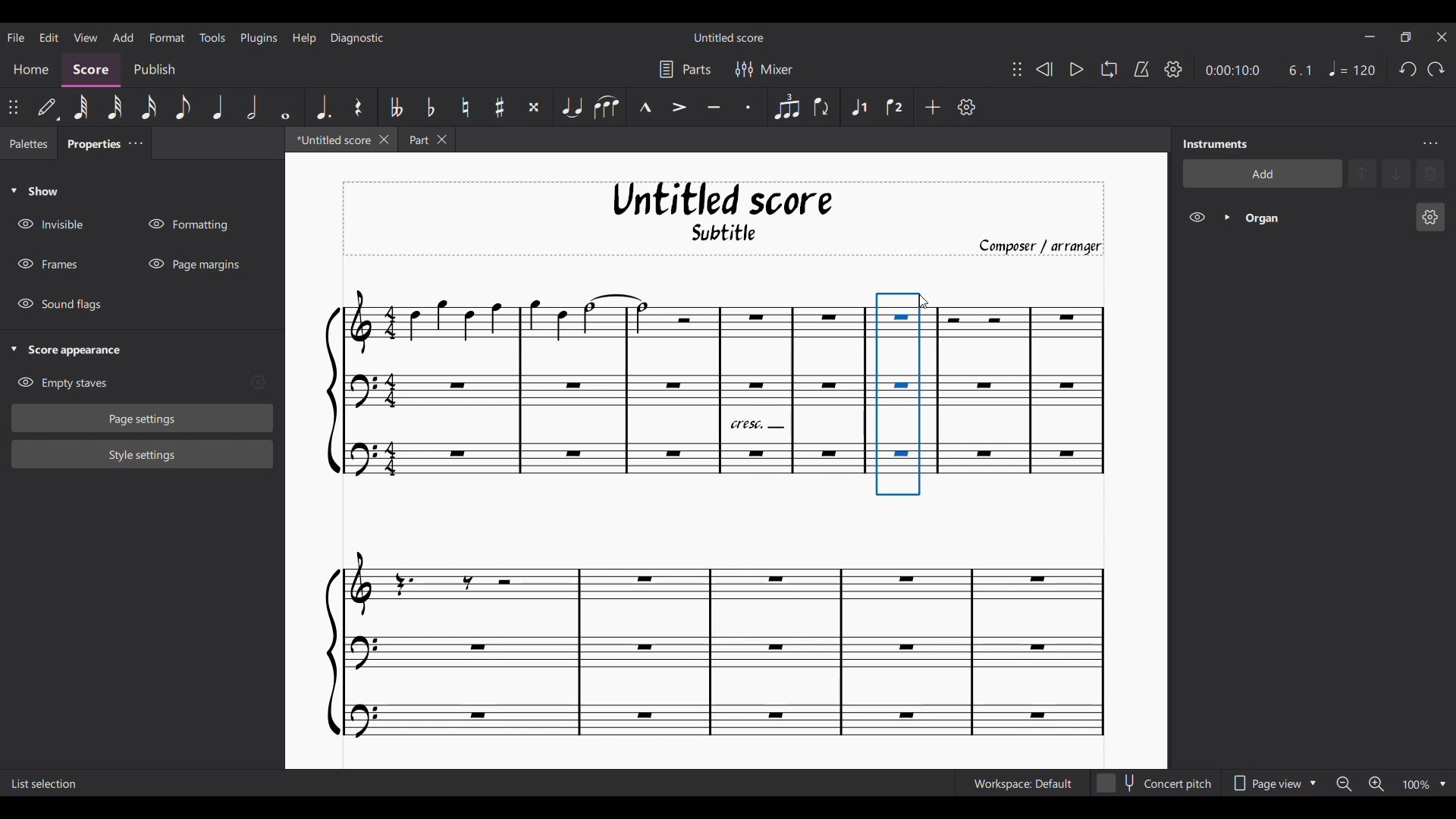  What do you see at coordinates (258, 382) in the screenshot?
I see `Empty stave settings` at bounding box center [258, 382].